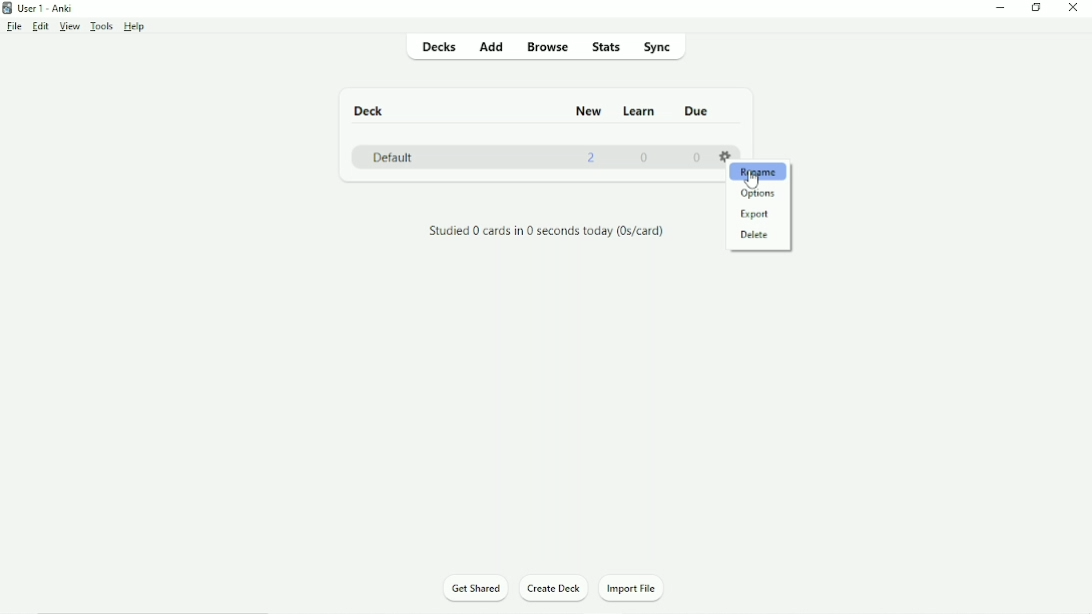  Describe the element at coordinates (101, 26) in the screenshot. I see `Tools` at that location.